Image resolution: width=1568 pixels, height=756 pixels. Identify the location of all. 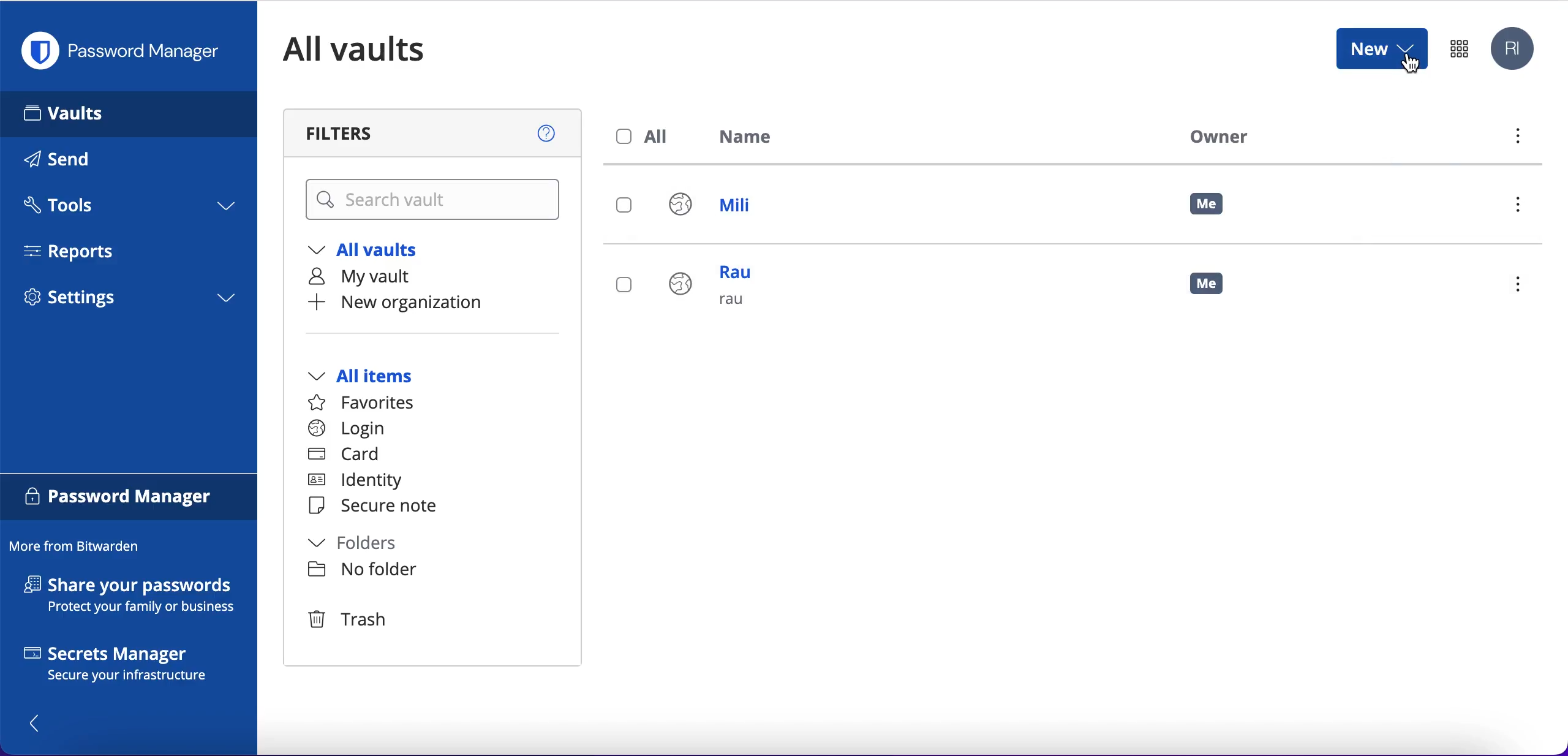
(646, 137).